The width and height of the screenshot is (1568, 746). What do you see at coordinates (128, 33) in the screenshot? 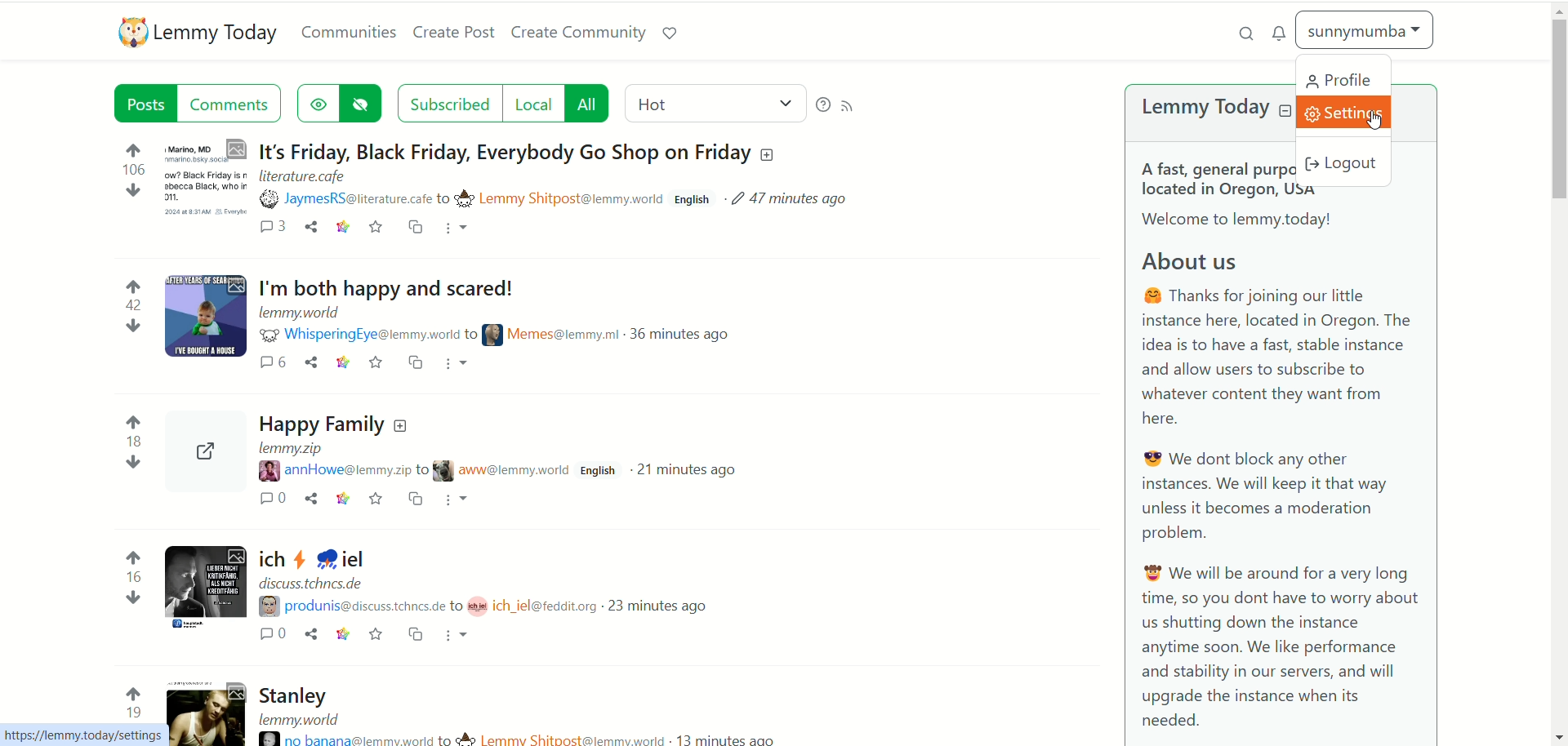
I see `logo` at bounding box center [128, 33].